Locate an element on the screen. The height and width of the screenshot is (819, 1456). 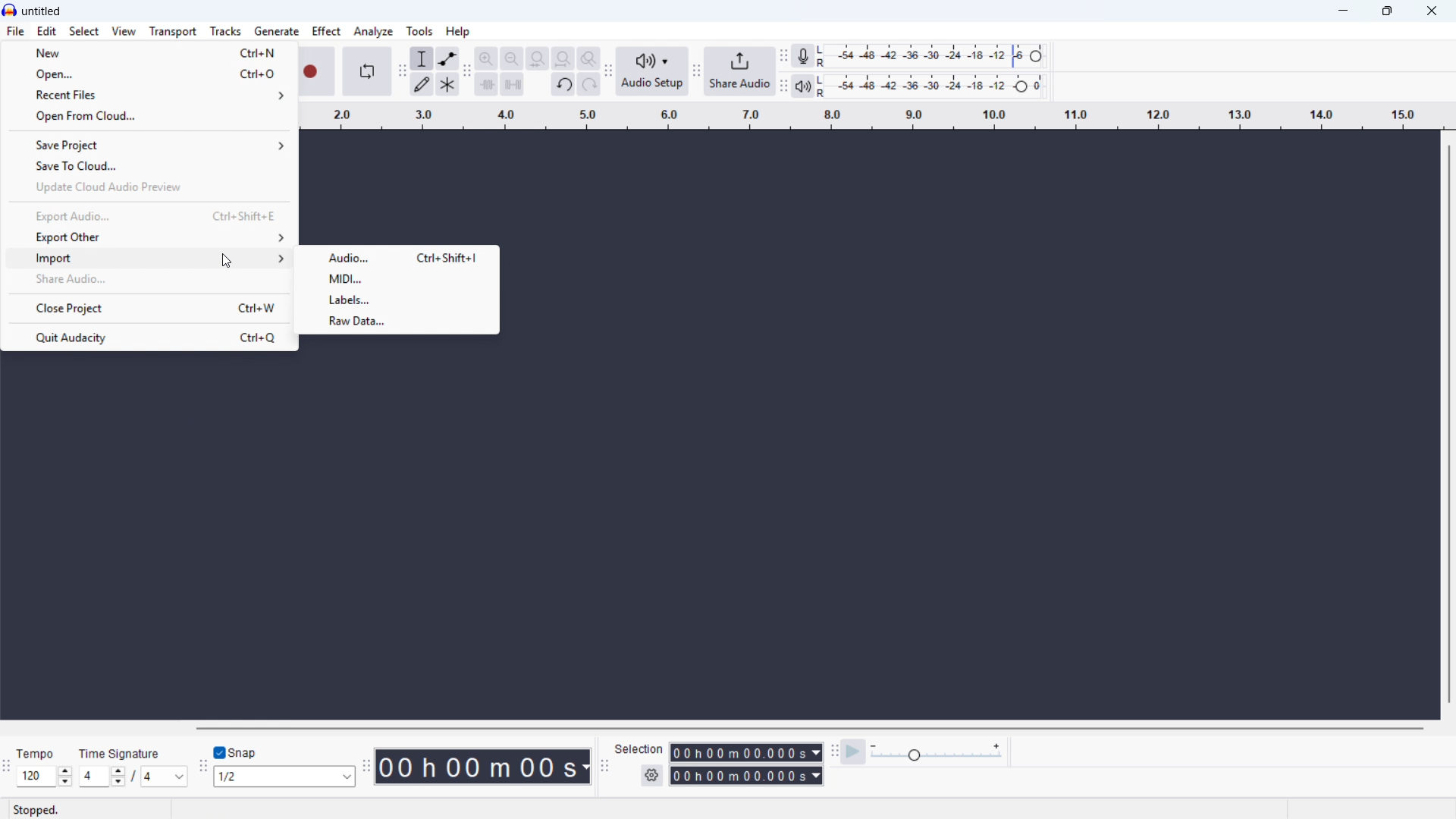
Toggle snap  is located at coordinates (236, 752).